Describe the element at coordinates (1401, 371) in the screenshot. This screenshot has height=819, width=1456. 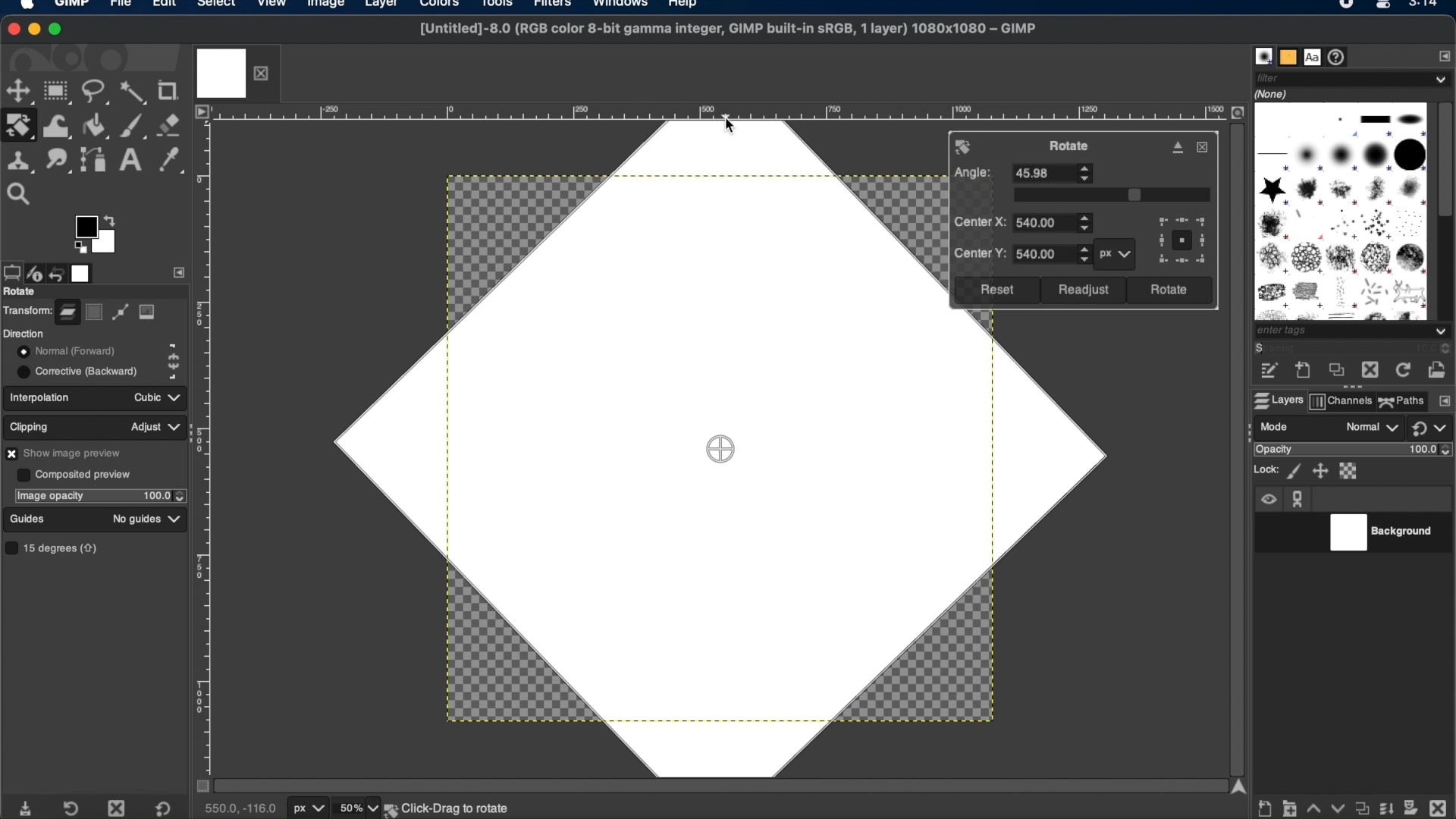
I see `refresh brushes` at that location.